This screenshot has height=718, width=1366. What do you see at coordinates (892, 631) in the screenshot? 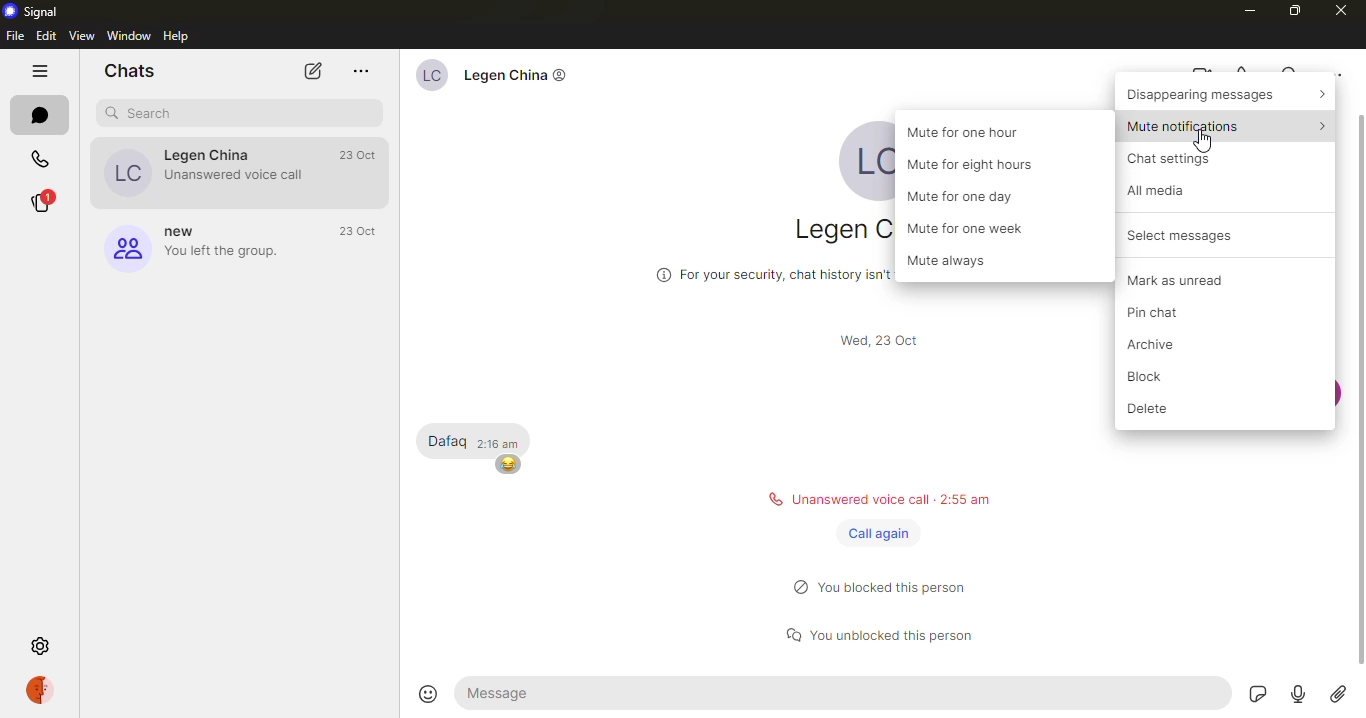
I see `status message` at bounding box center [892, 631].